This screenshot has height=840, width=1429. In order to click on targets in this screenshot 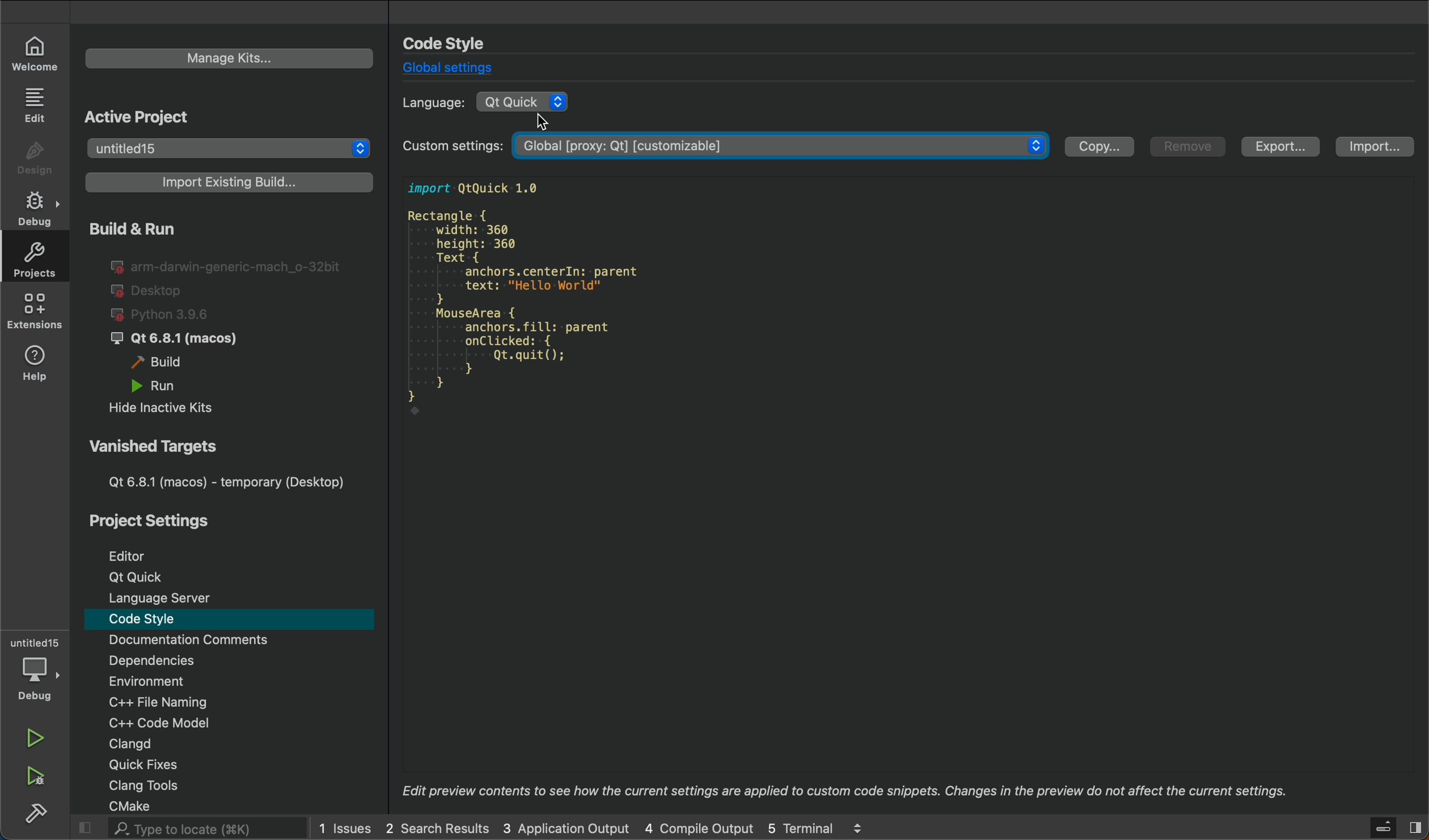, I will do `click(220, 464)`.